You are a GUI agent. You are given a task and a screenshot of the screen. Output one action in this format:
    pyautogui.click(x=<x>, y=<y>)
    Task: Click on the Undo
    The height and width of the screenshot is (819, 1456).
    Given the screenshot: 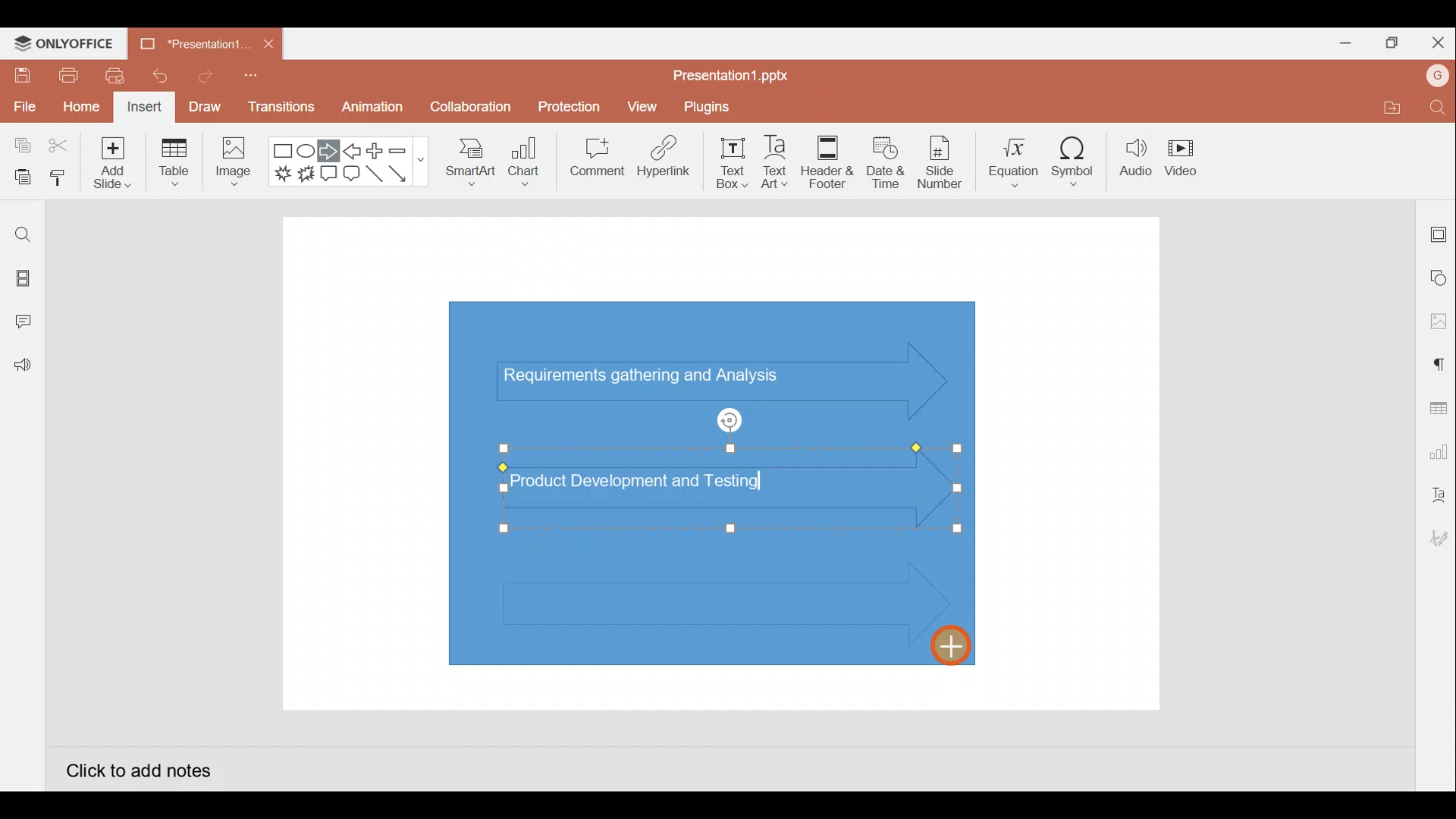 What is the action you would take?
    pyautogui.click(x=154, y=76)
    